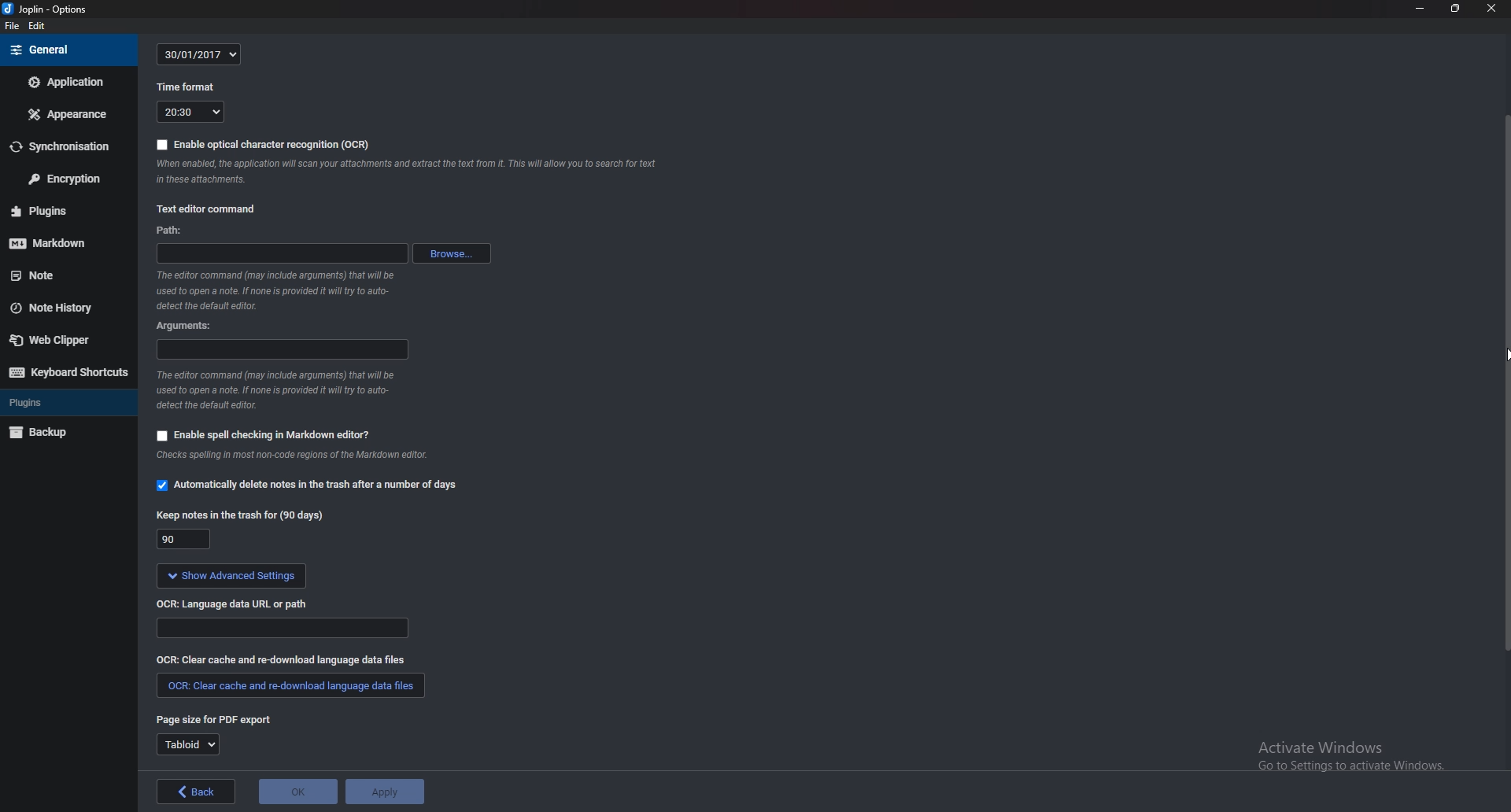  Describe the element at coordinates (1486, 10) in the screenshot. I see `close` at that location.